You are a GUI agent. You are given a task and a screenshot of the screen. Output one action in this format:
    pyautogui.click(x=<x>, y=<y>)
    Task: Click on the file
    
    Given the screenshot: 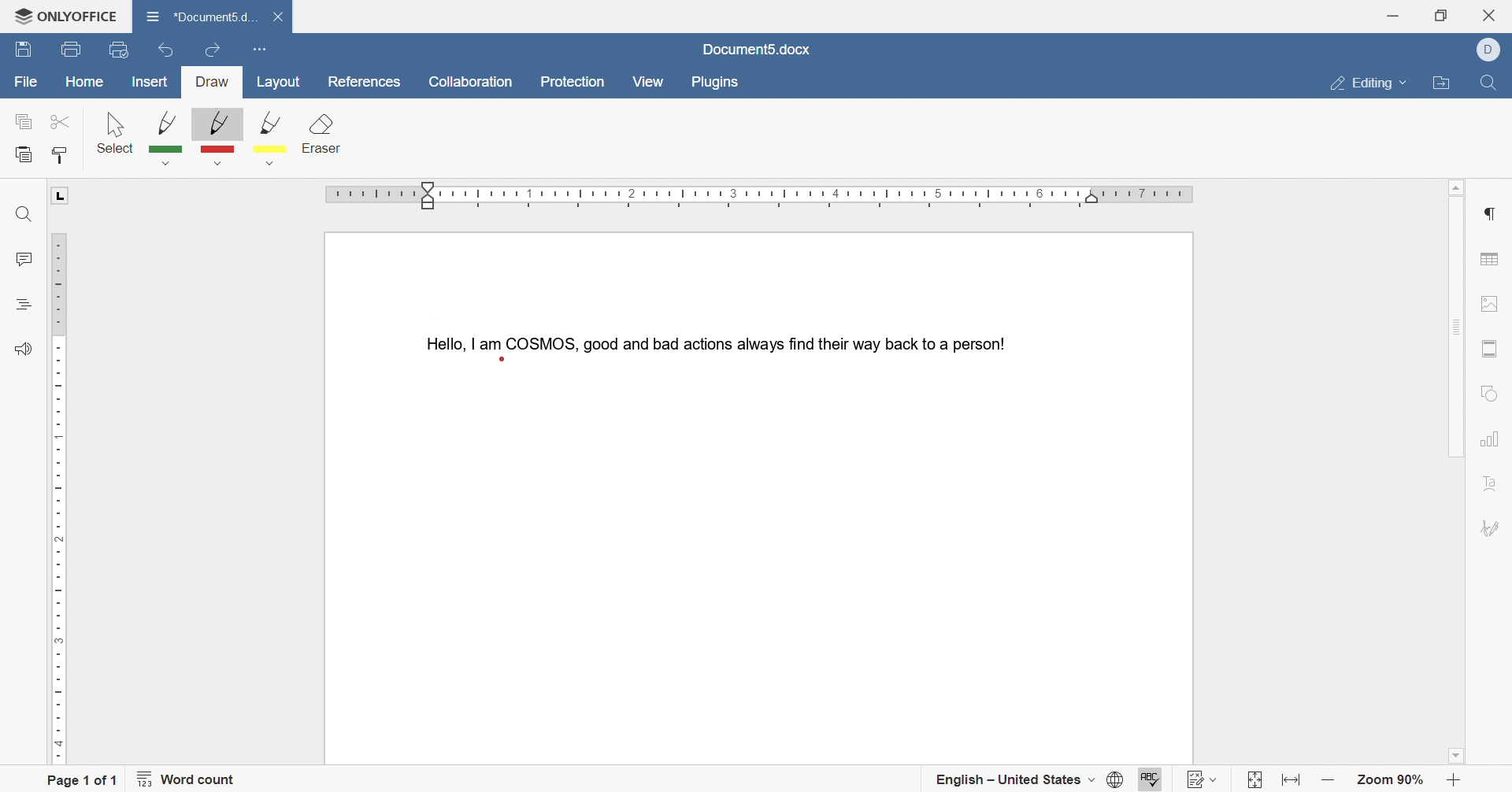 What is the action you would take?
    pyautogui.click(x=26, y=83)
    